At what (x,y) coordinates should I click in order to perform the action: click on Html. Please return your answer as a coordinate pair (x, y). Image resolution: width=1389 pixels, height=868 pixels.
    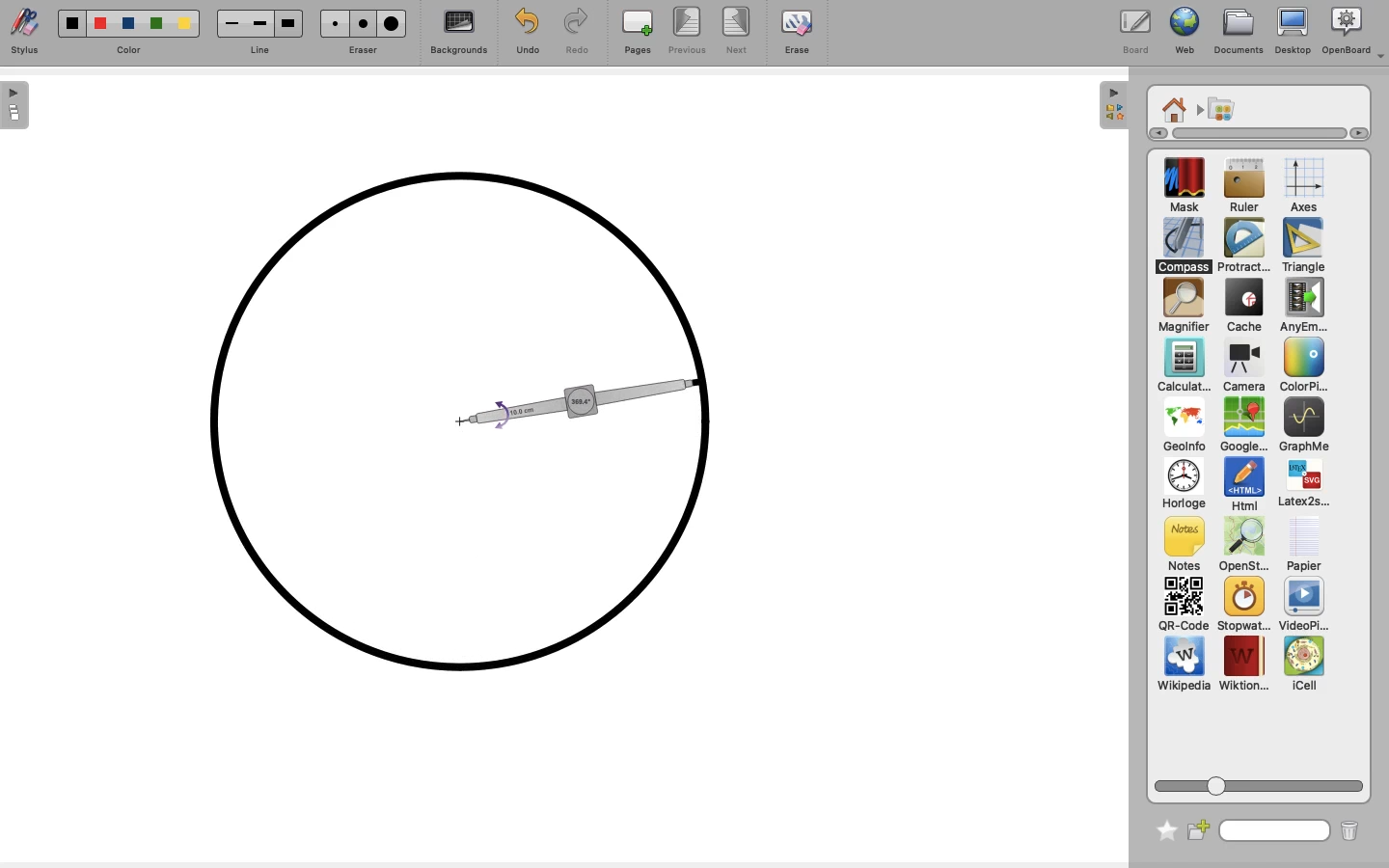
    Looking at the image, I should click on (1242, 486).